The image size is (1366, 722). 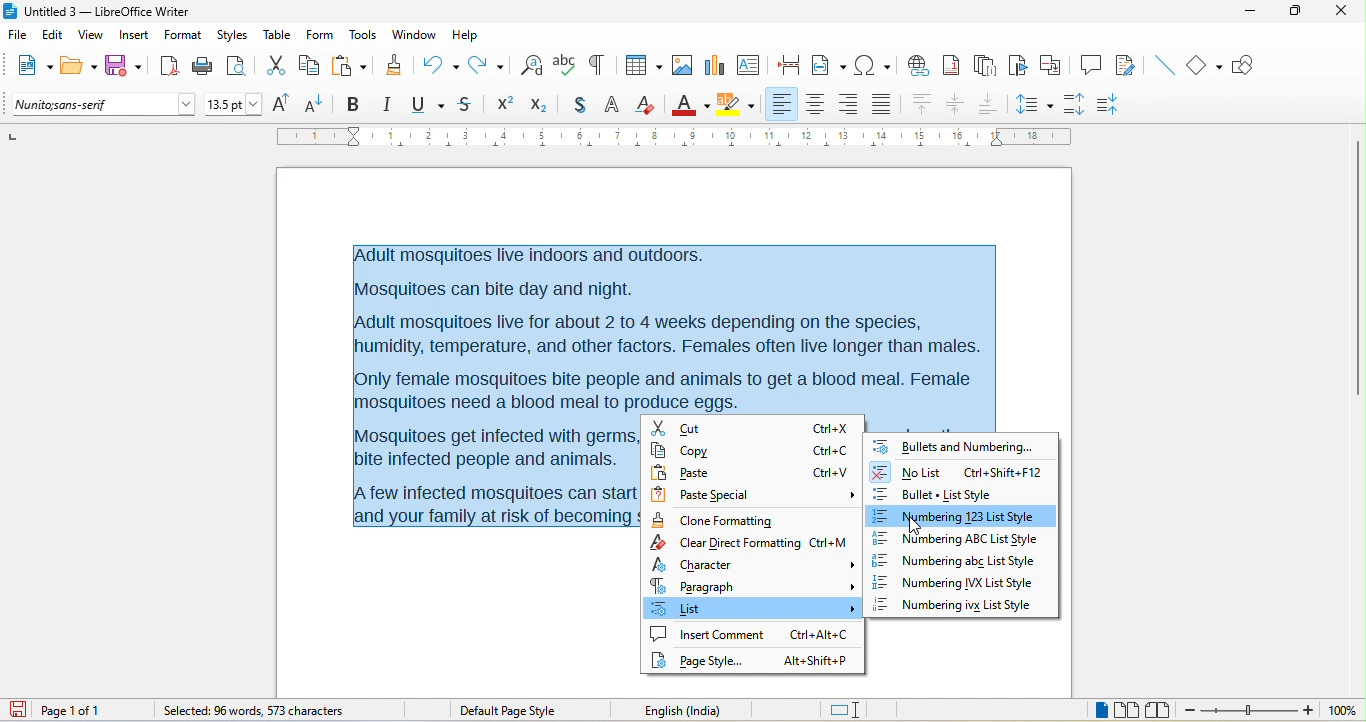 What do you see at coordinates (397, 67) in the screenshot?
I see `clone formatting` at bounding box center [397, 67].